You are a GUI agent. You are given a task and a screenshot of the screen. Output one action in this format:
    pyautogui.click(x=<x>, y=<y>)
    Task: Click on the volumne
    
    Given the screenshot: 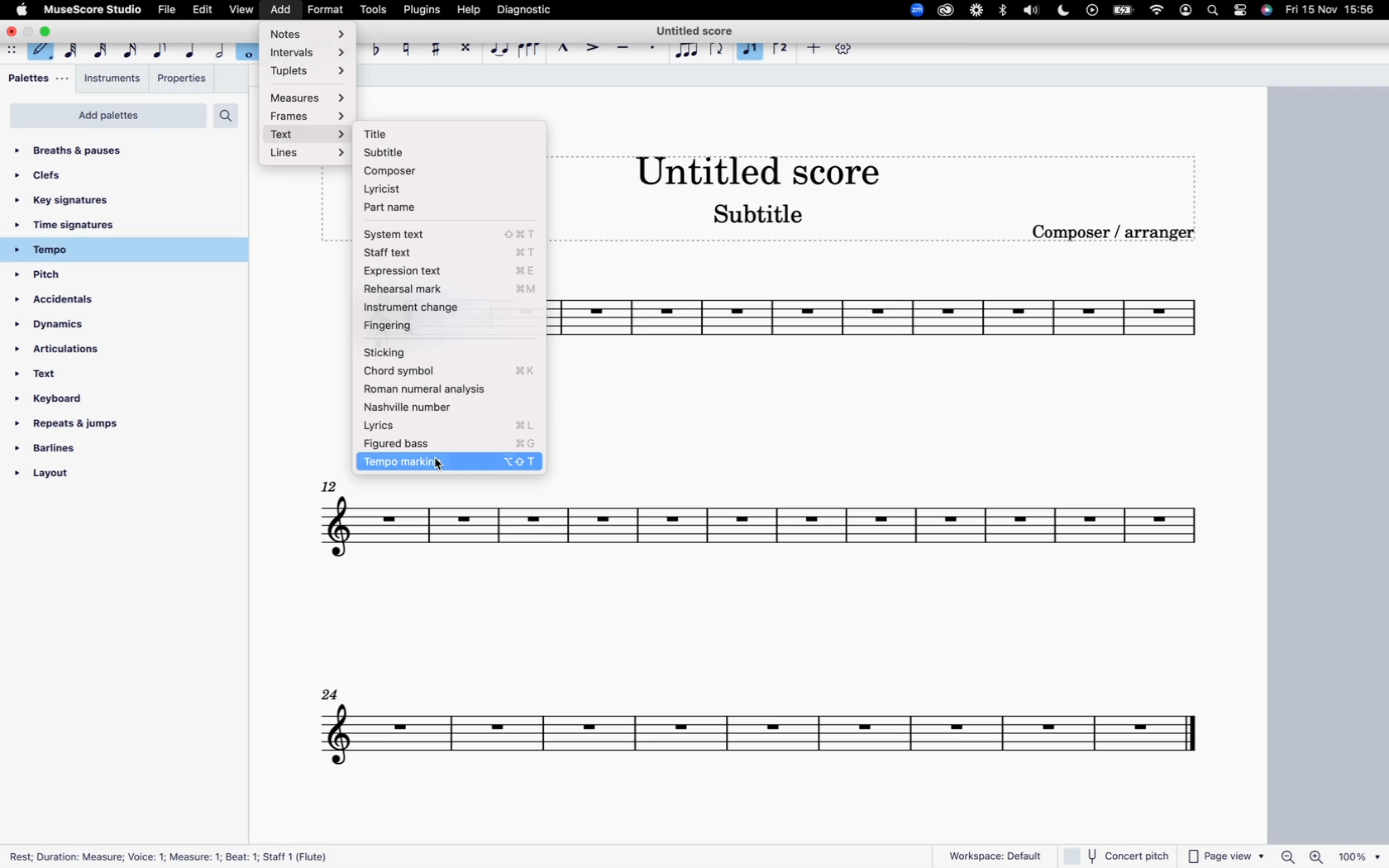 What is the action you would take?
    pyautogui.click(x=1033, y=11)
    